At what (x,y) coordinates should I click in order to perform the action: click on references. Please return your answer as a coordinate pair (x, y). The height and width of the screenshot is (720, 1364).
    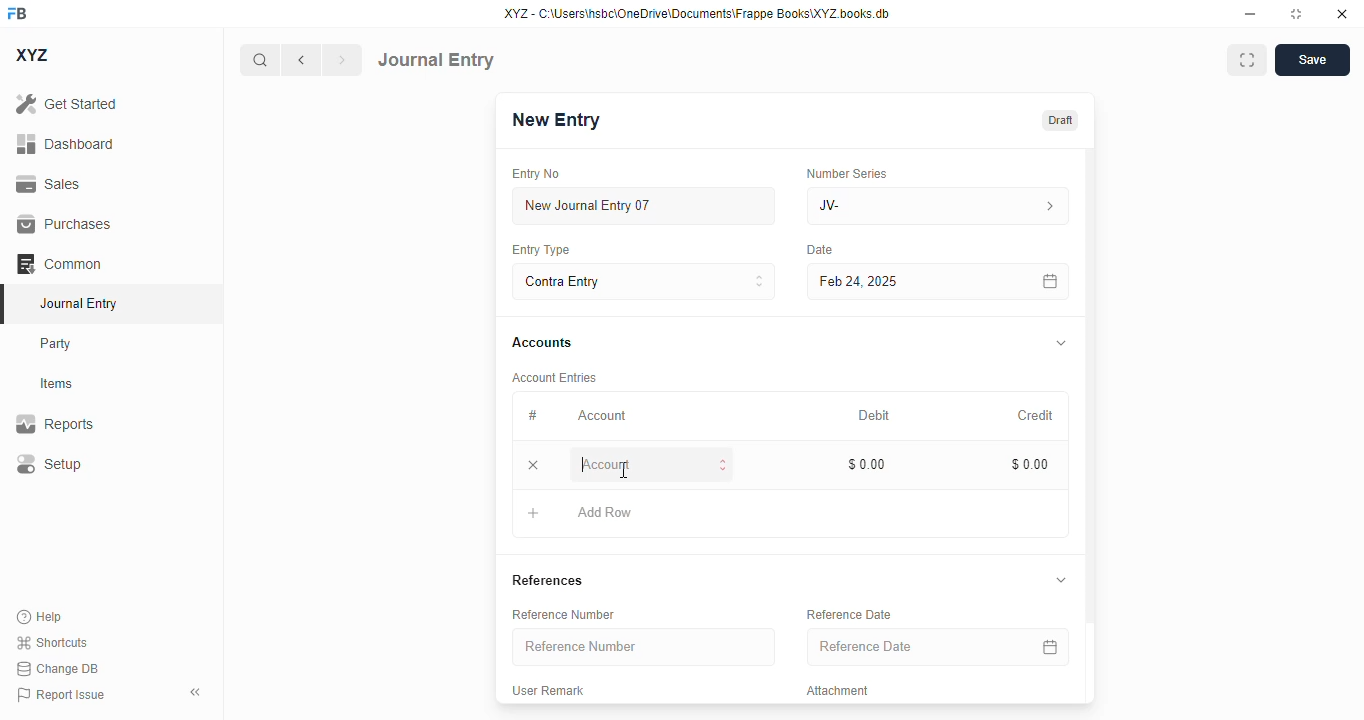
    Looking at the image, I should click on (548, 580).